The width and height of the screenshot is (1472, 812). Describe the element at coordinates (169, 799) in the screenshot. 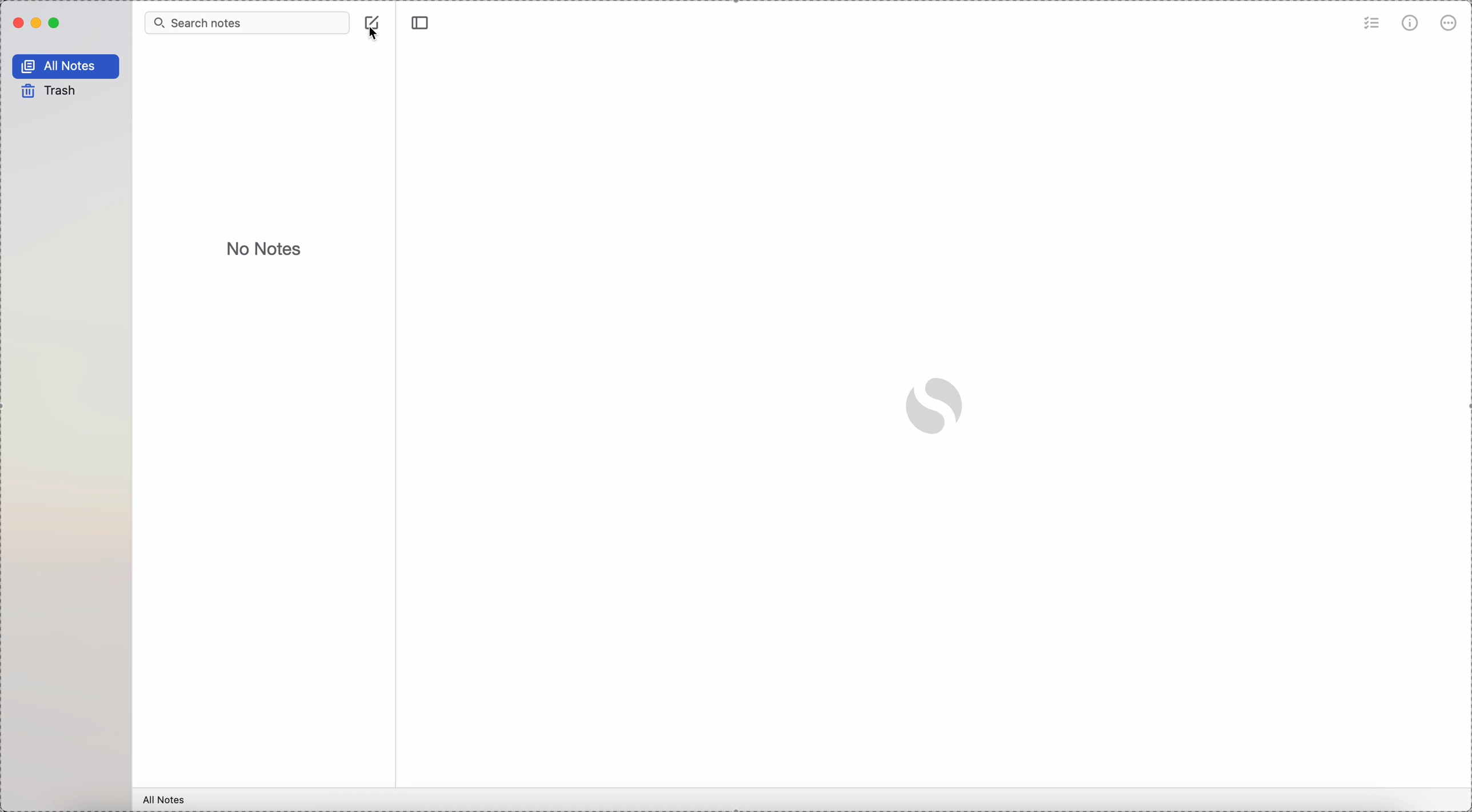

I see `all notes` at that location.